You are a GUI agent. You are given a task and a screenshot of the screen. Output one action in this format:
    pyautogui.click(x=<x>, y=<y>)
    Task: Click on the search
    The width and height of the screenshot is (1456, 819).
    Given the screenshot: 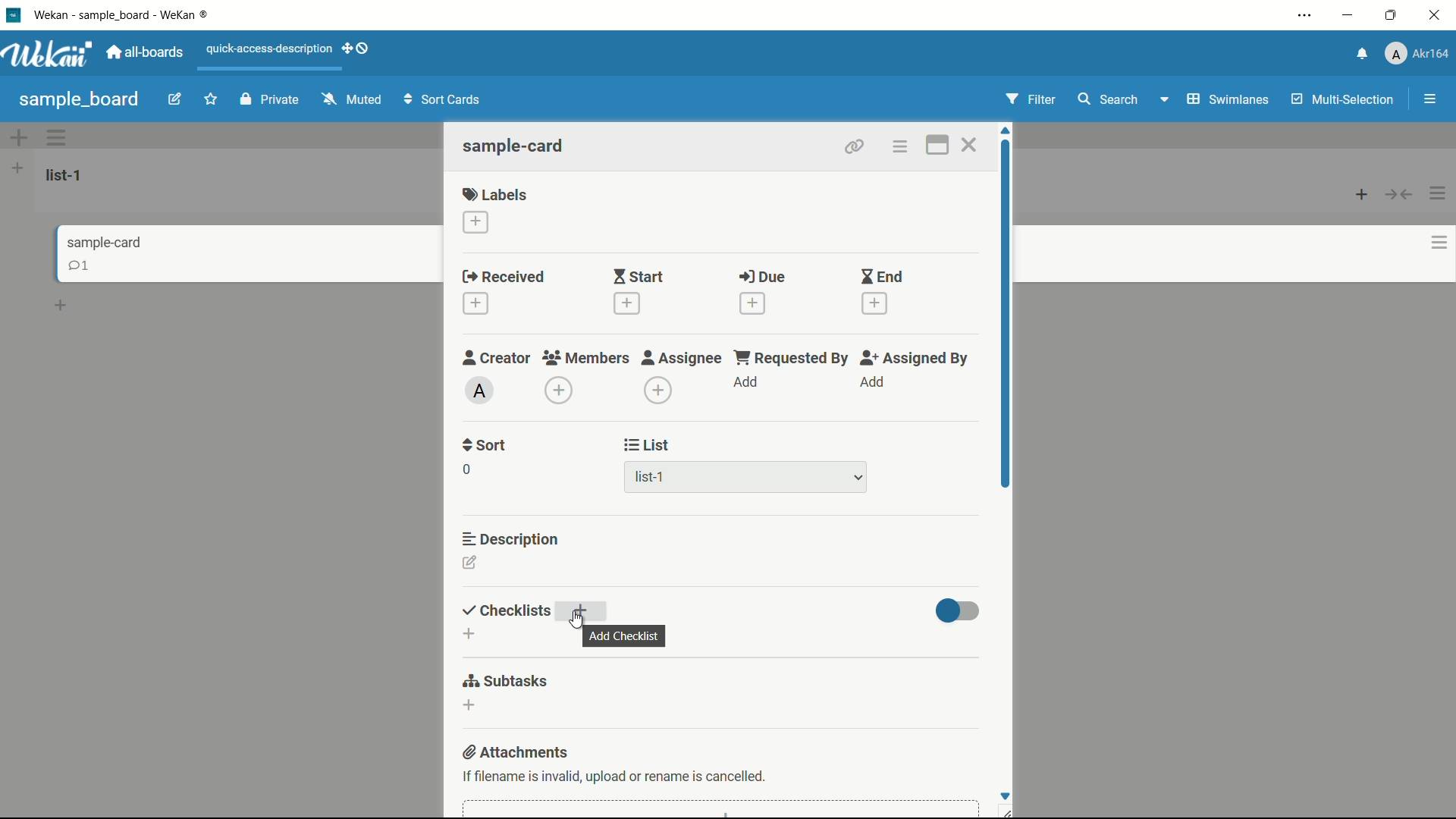 What is the action you would take?
    pyautogui.click(x=1109, y=98)
    